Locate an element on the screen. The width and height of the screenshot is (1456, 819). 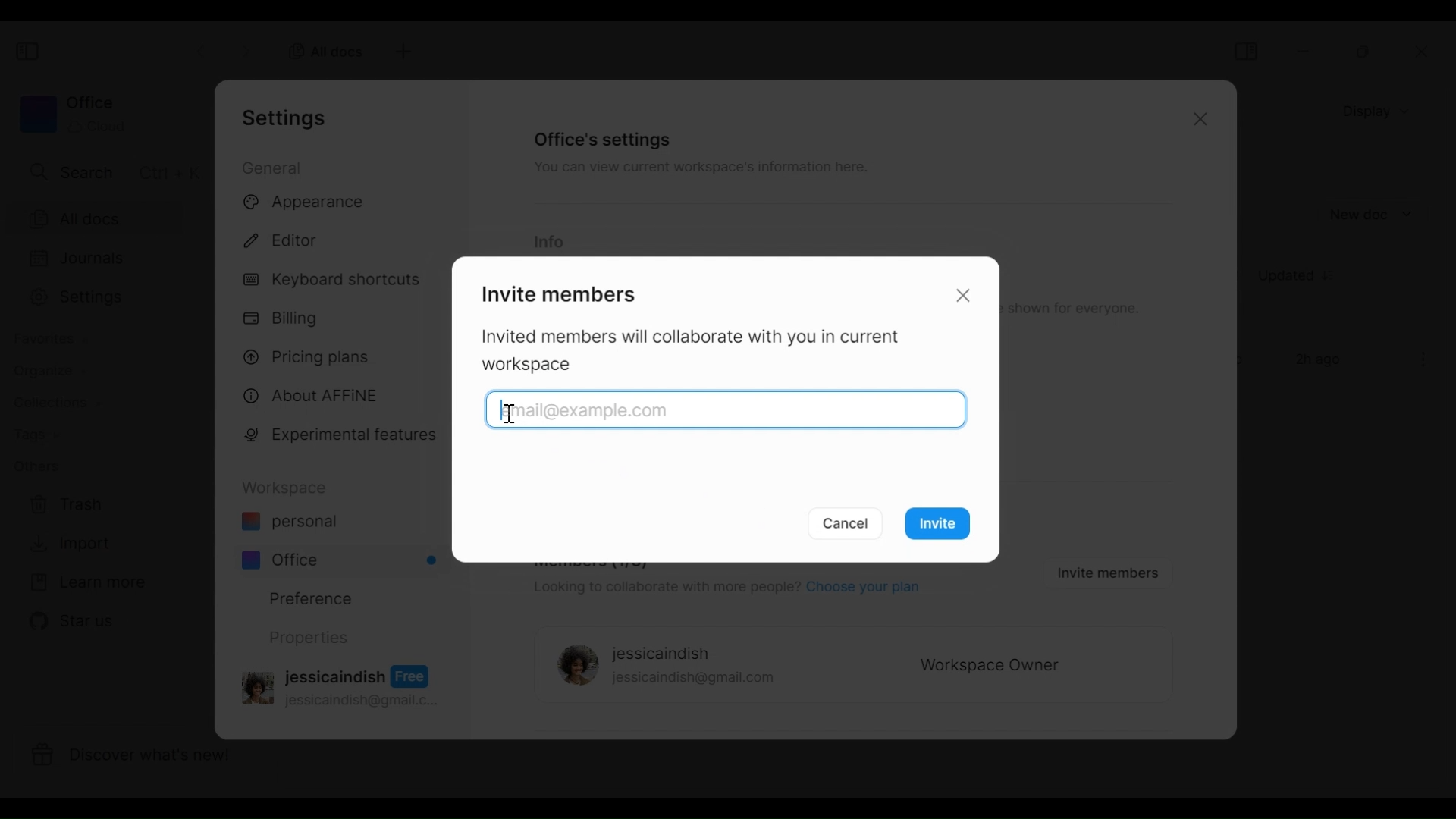
Others is located at coordinates (36, 466).